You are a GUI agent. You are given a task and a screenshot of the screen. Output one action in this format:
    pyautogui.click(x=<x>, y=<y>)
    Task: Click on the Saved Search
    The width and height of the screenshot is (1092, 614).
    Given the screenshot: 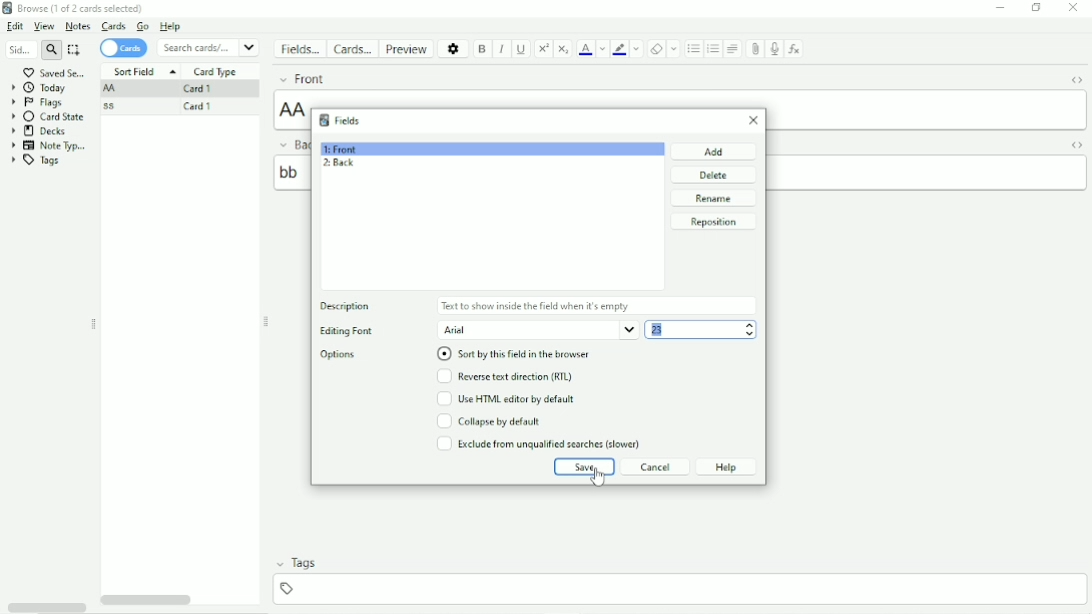 What is the action you would take?
    pyautogui.click(x=57, y=72)
    